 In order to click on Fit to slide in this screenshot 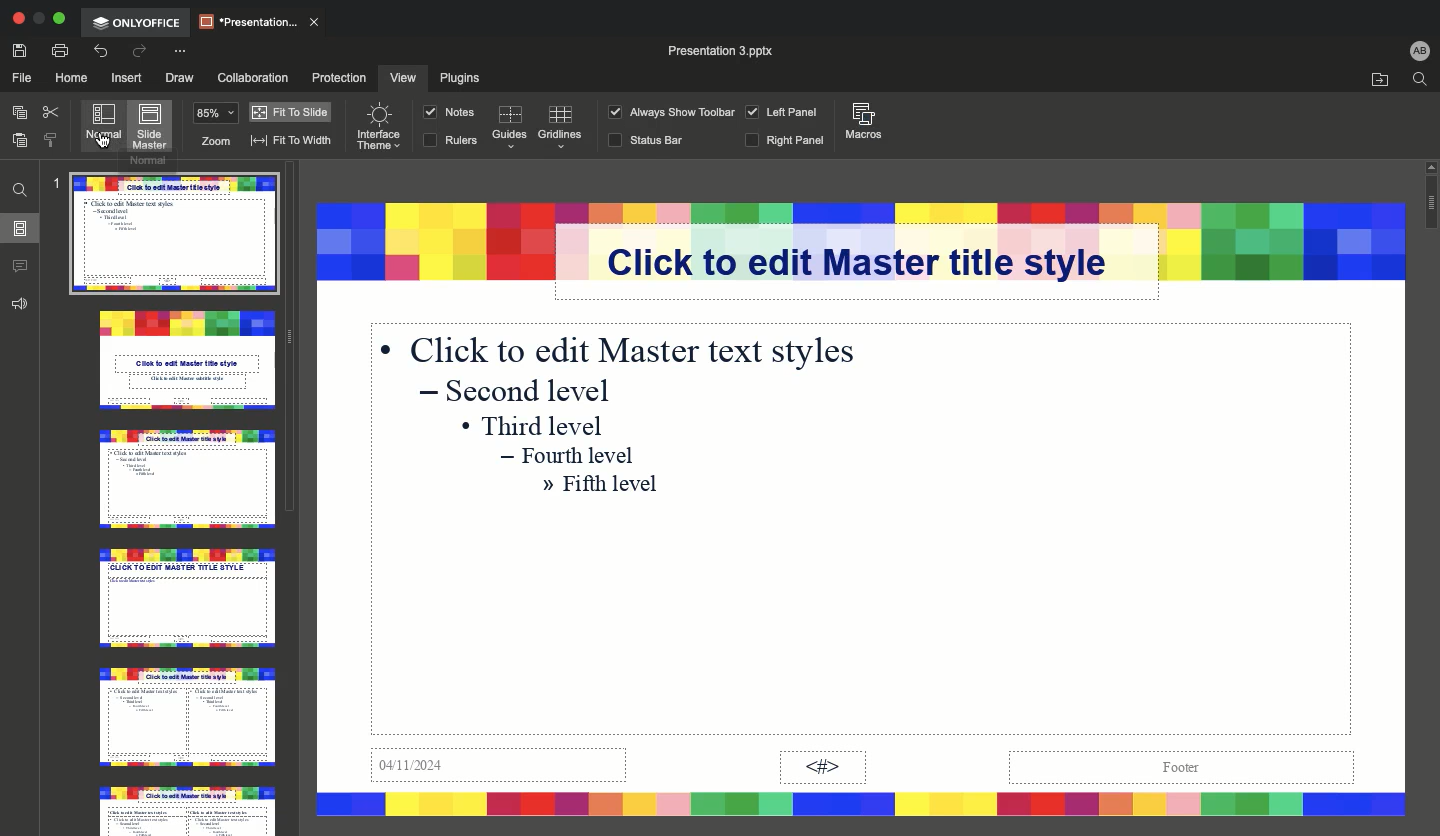, I will do `click(290, 110)`.